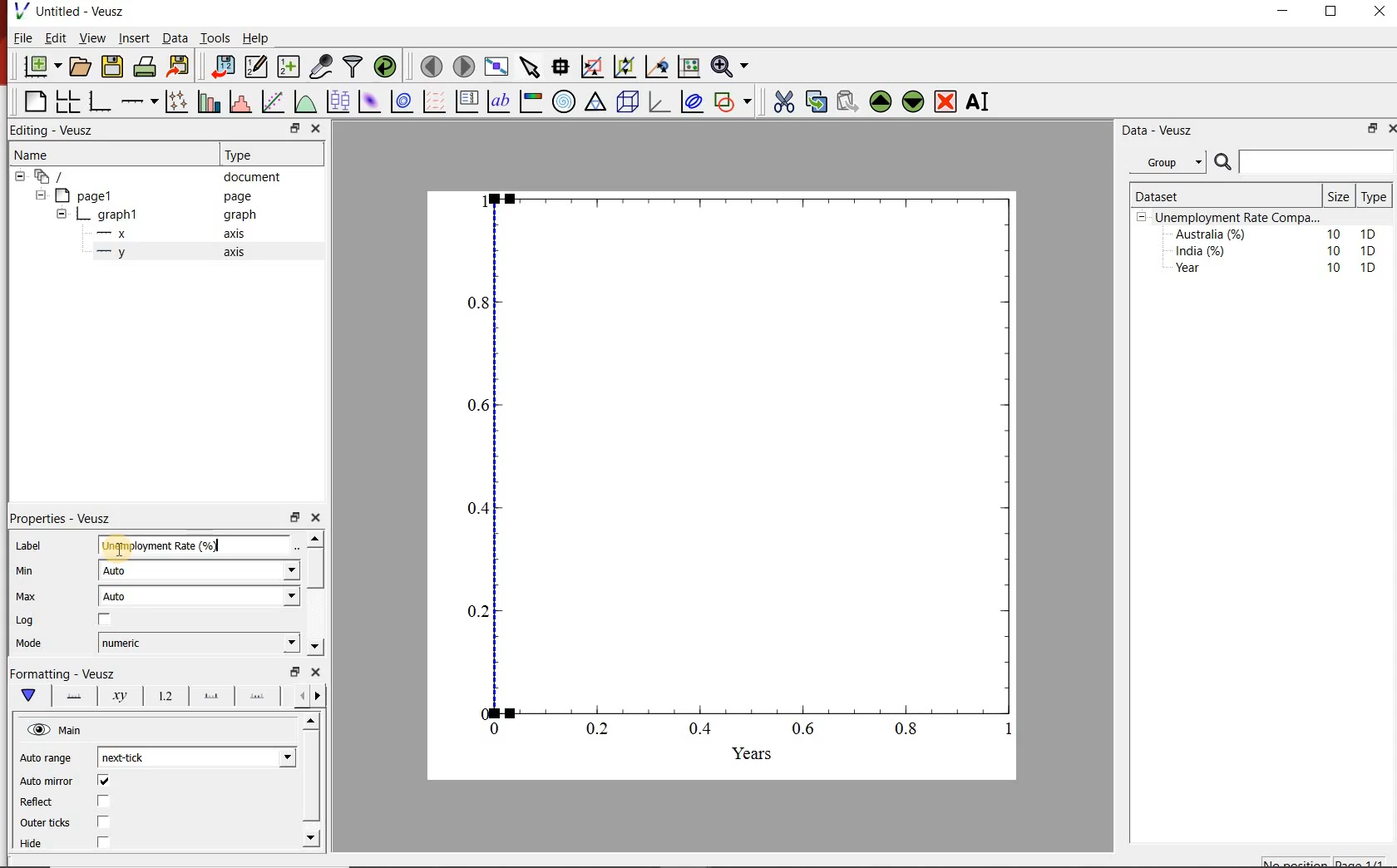 This screenshot has height=868, width=1397. What do you see at coordinates (40, 195) in the screenshot?
I see `collapse` at bounding box center [40, 195].